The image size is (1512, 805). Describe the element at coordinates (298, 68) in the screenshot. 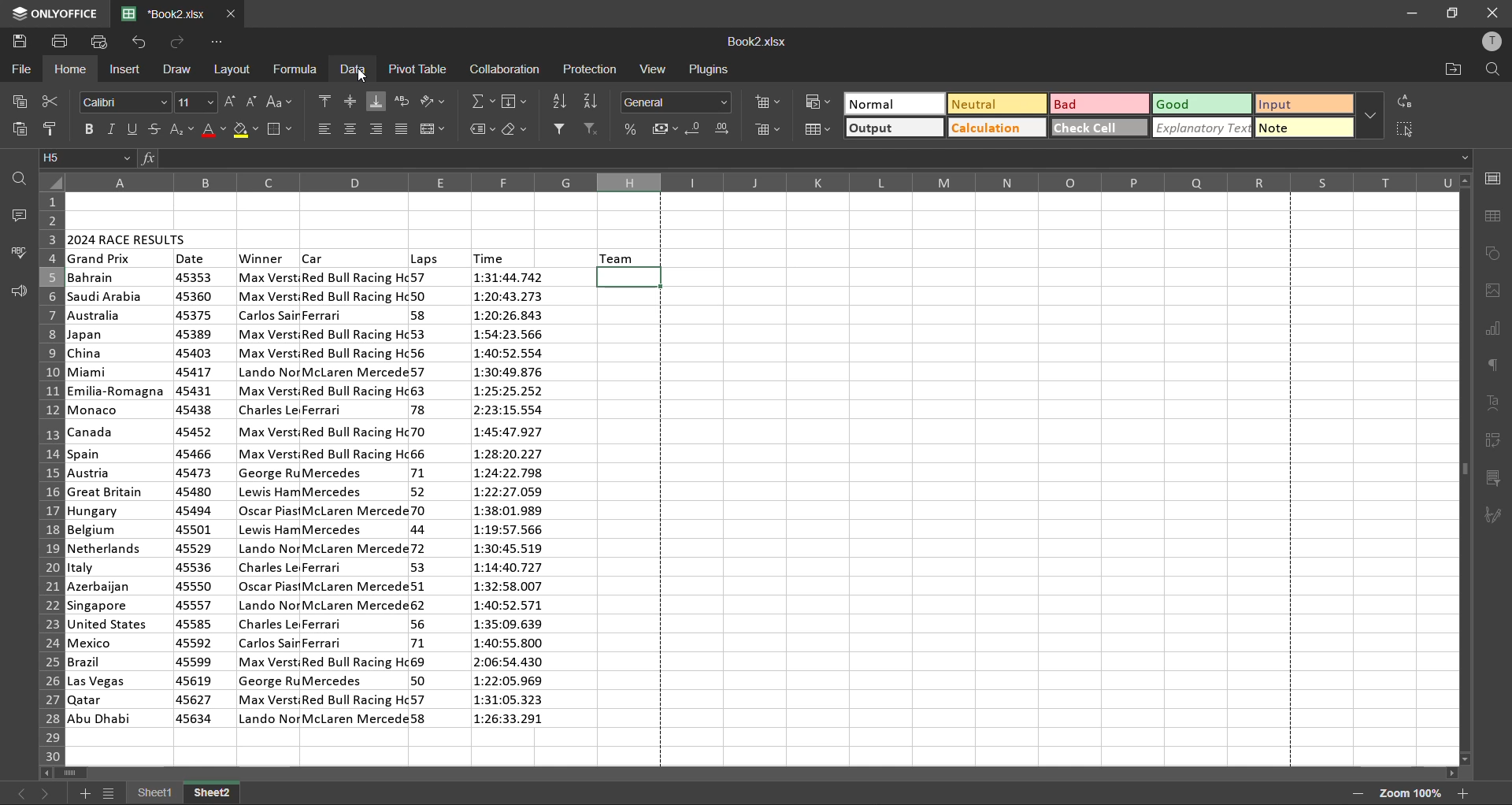

I see `formula` at that location.